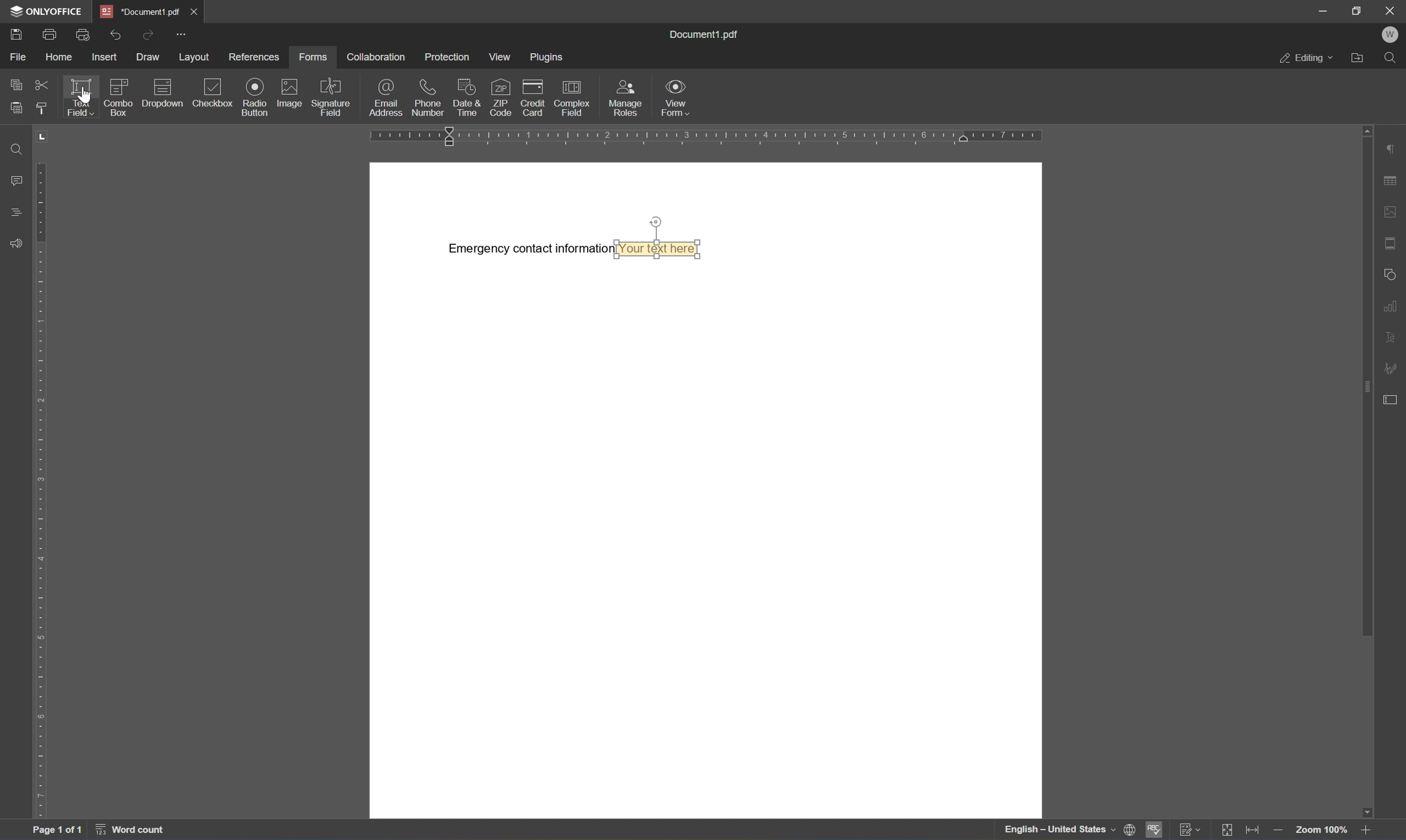 This screenshot has width=1406, height=840. Describe the element at coordinates (16, 182) in the screenshot. I see `comments` at that location.